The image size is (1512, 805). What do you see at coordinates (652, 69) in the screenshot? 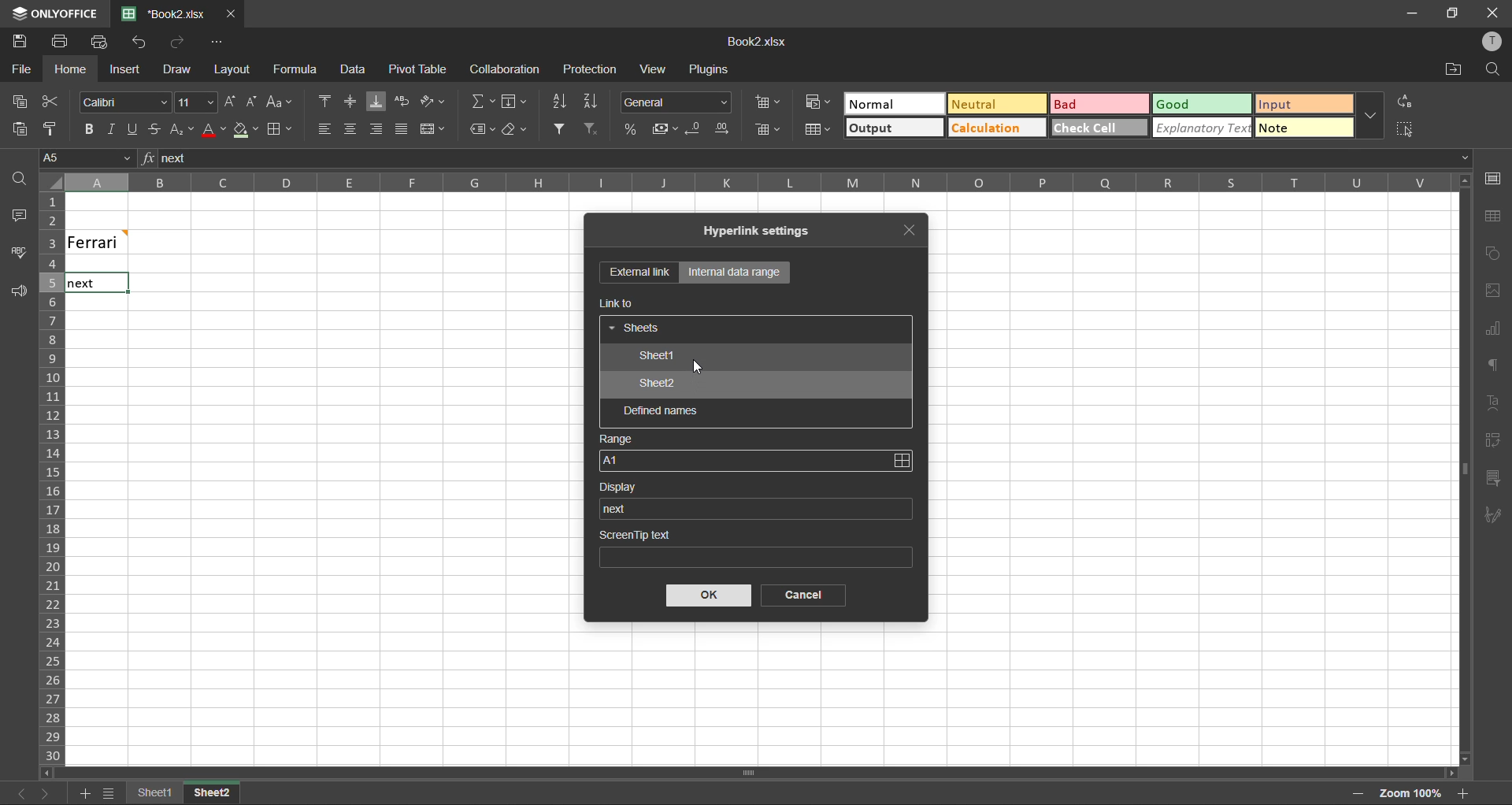
I see `view` at bounding box center [652, 69].